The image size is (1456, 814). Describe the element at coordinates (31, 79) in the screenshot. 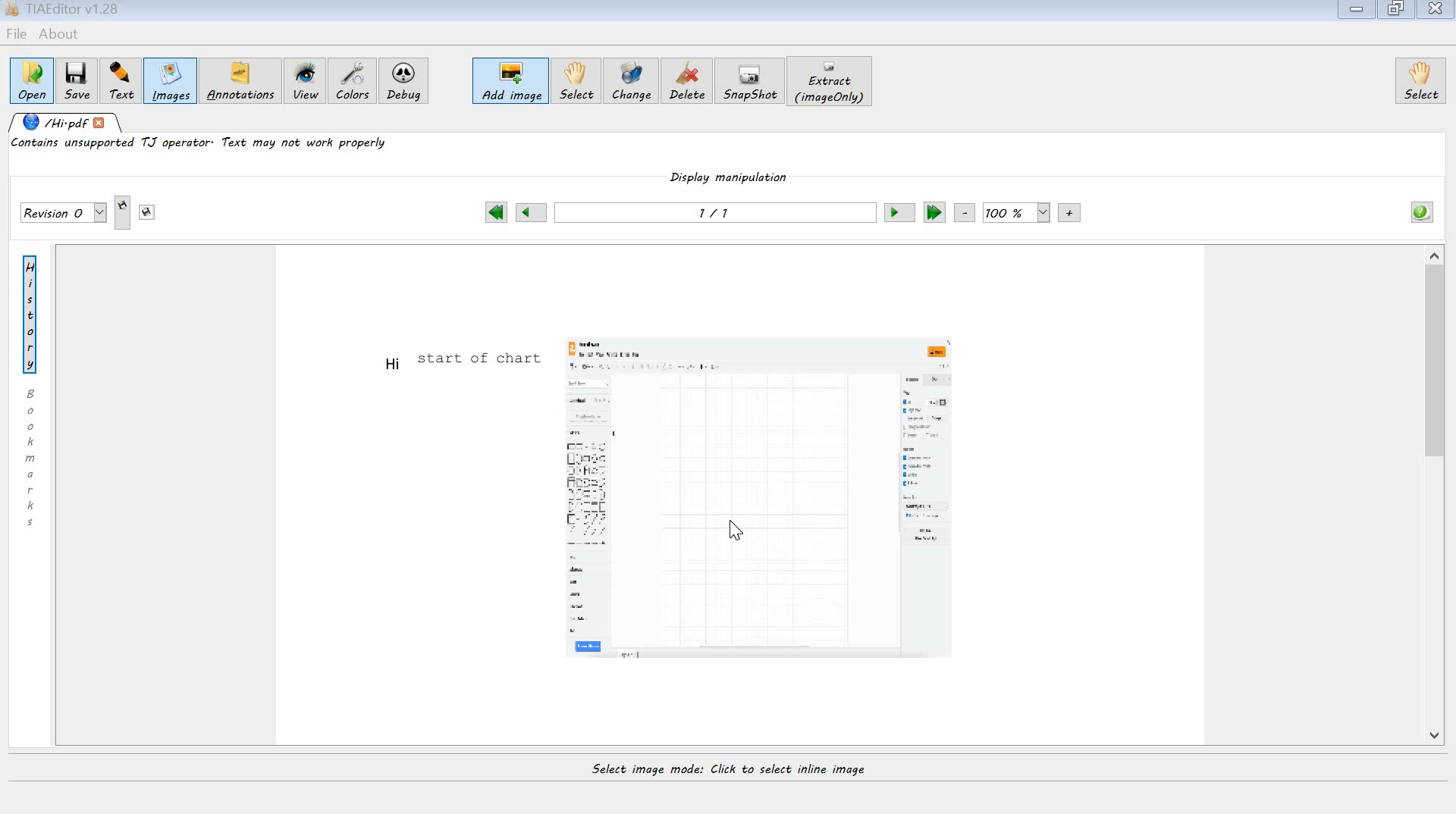

I see `open` at that location.